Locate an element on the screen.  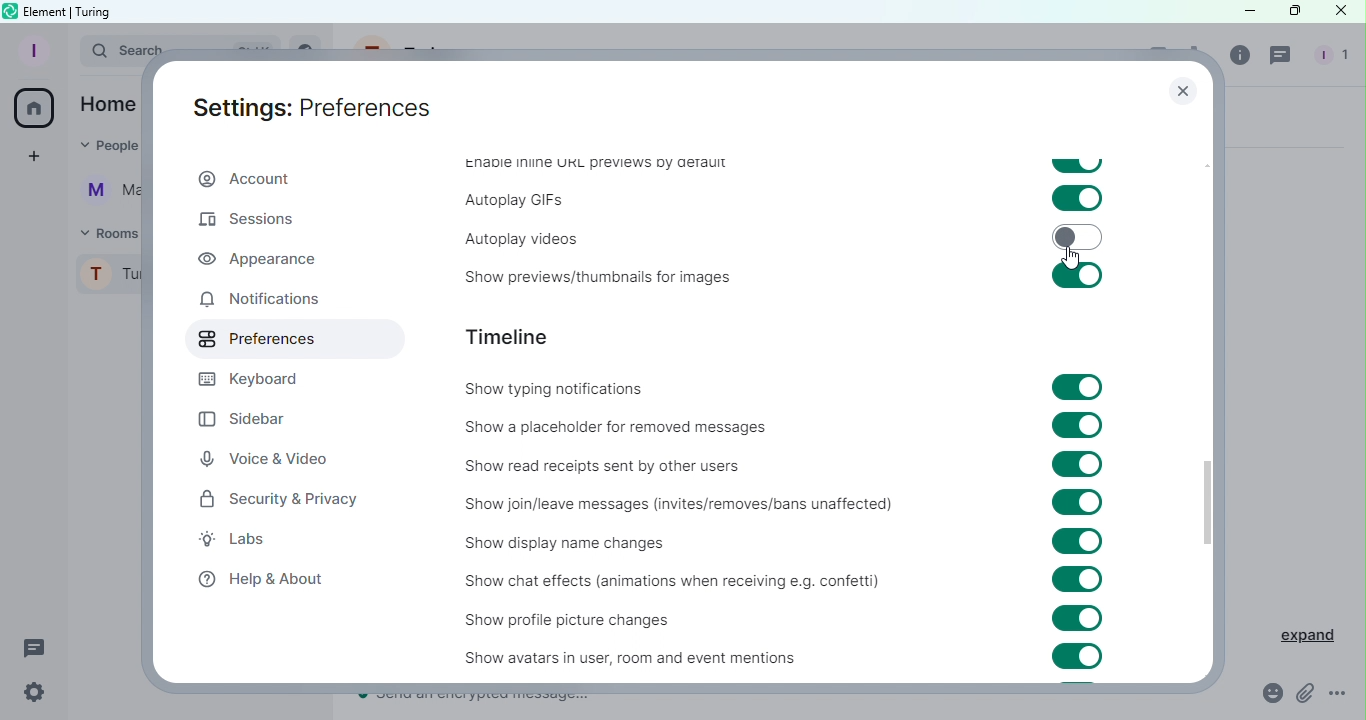
Show display name changes is located at coordinates (577, 545).